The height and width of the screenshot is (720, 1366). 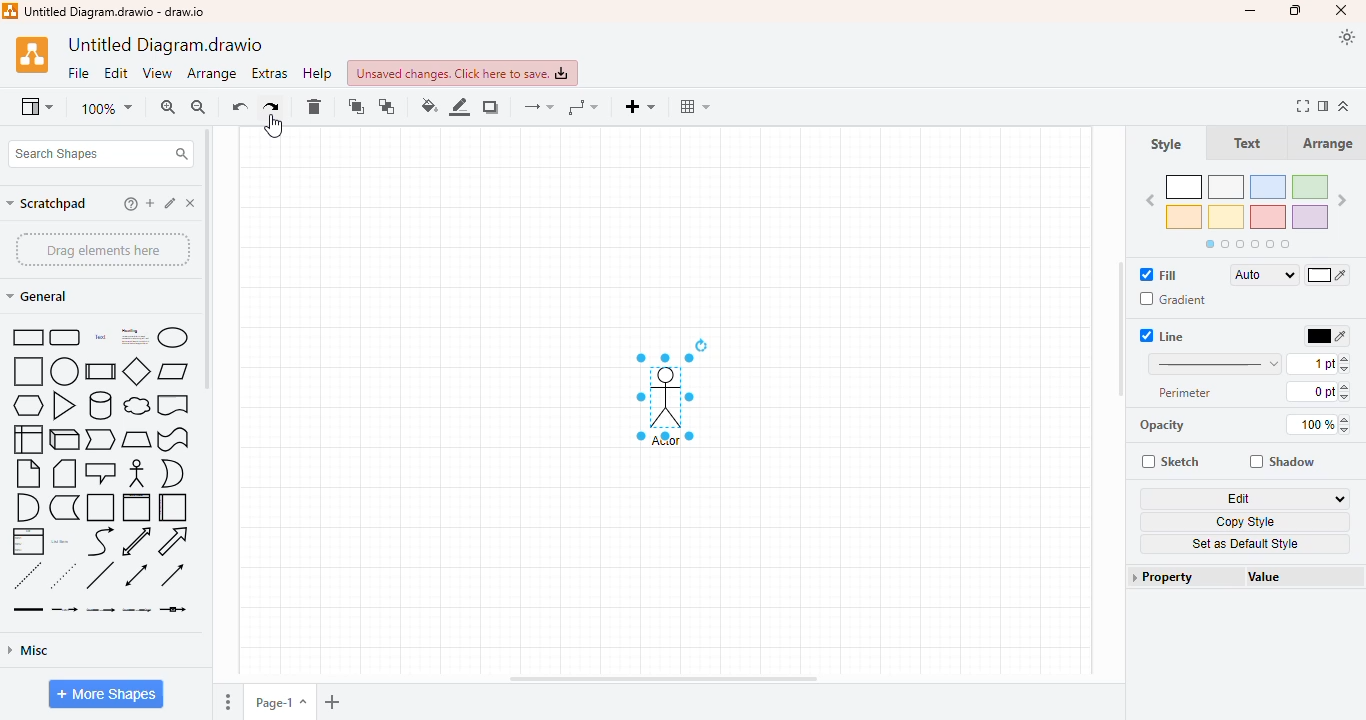 What do you see at coordinates (65, 406) in the screenshot?
I see `triangle` at bounding box center [65, 406].